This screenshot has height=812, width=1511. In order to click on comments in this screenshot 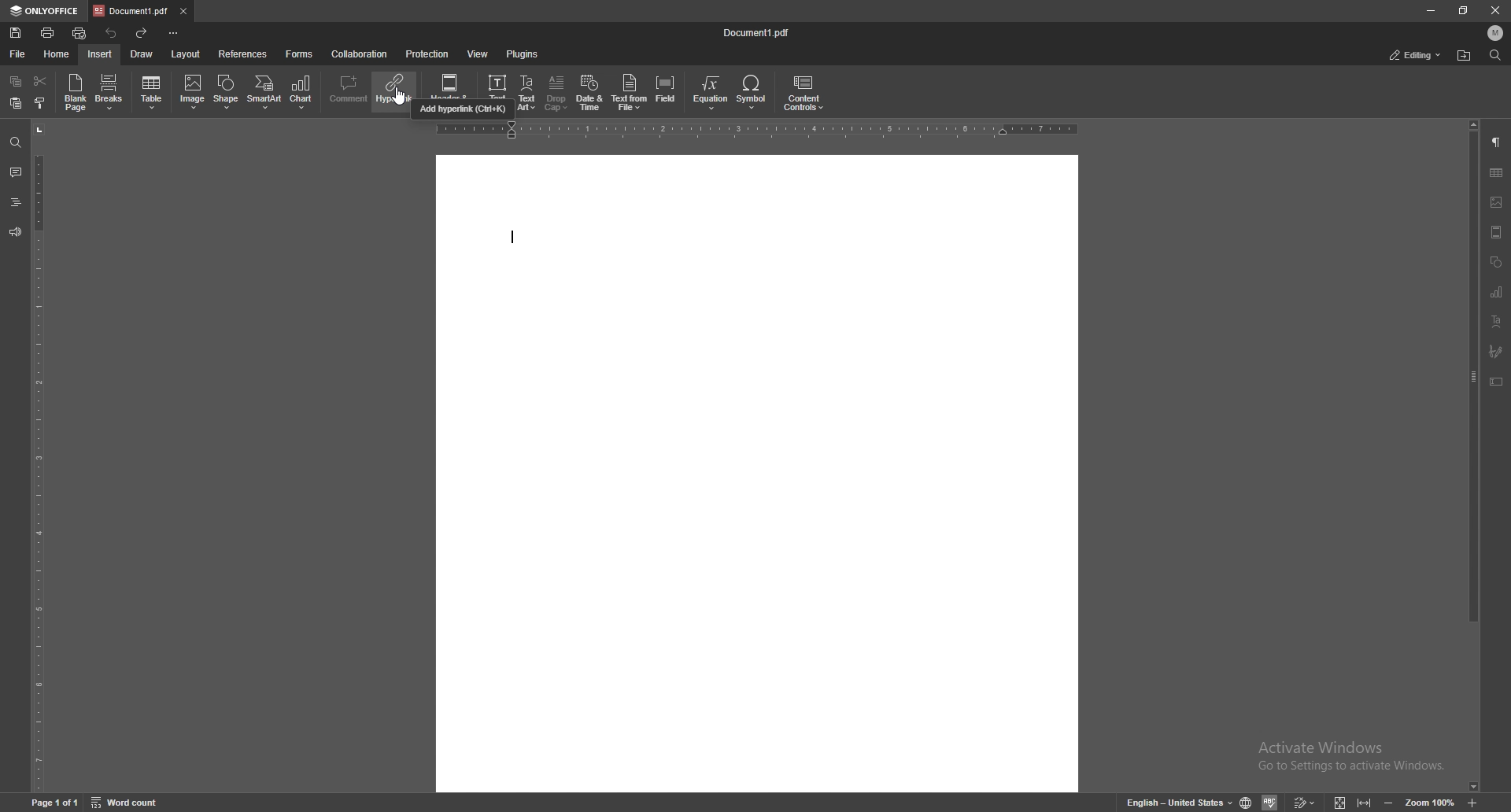, I will do `click(13, 172)`.